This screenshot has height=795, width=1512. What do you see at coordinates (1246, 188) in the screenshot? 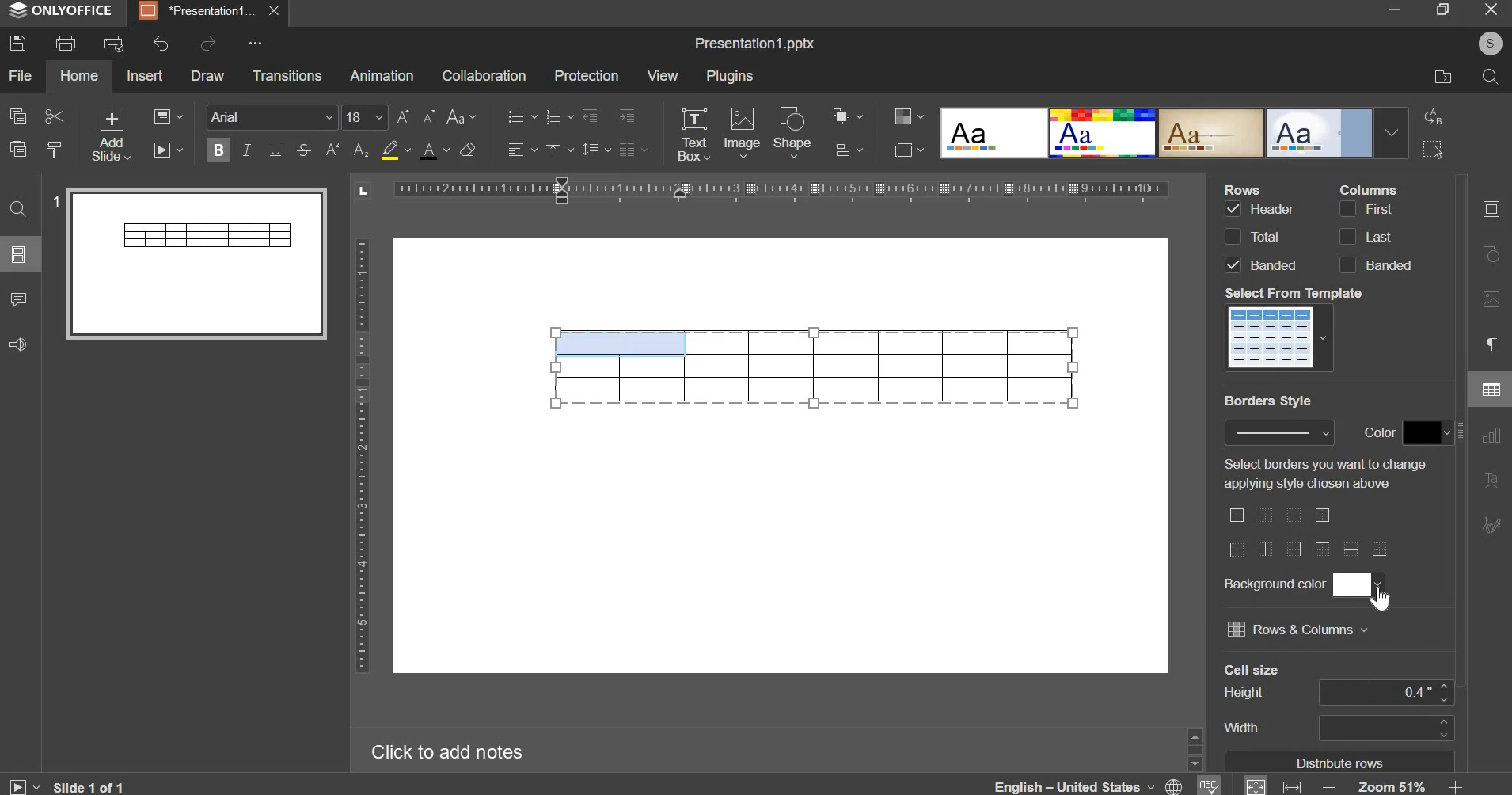
I see `Rows` at bounding box center [1246, 188].